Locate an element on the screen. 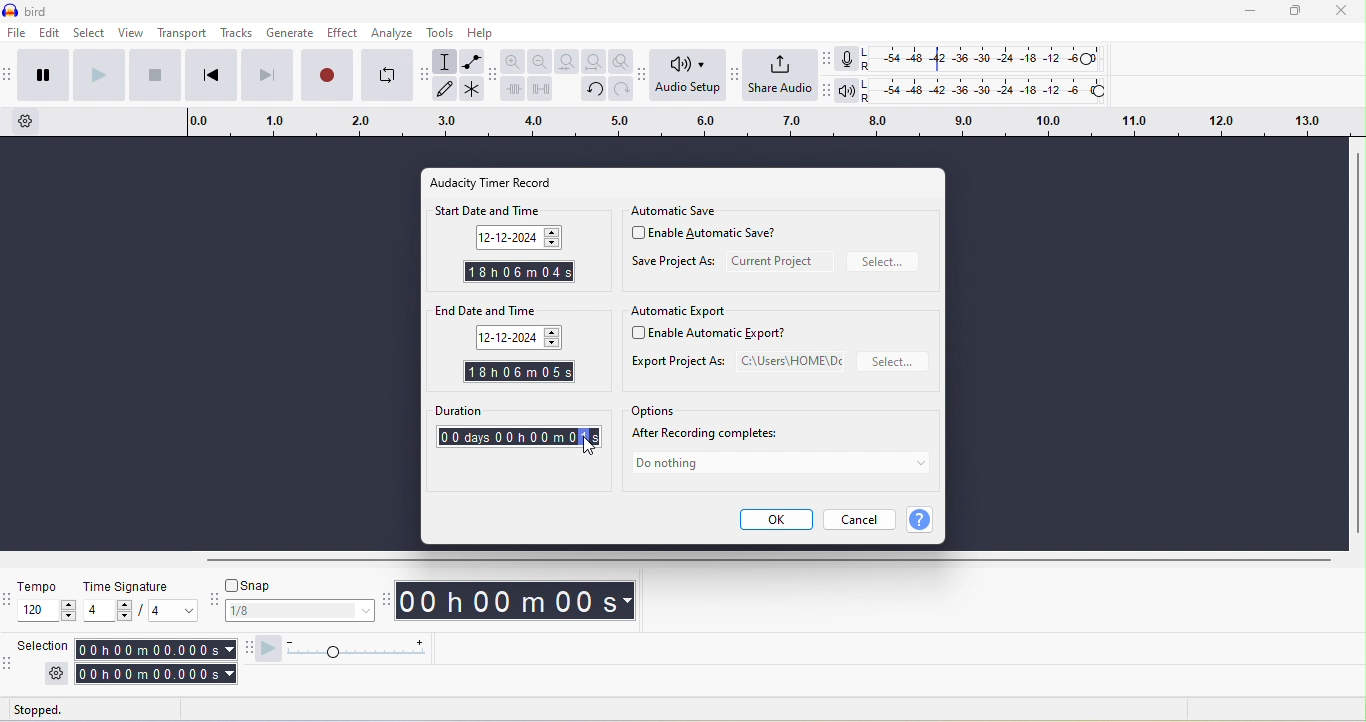 The image size is (1366, 722). save project as is located at coordinates (673, 264).